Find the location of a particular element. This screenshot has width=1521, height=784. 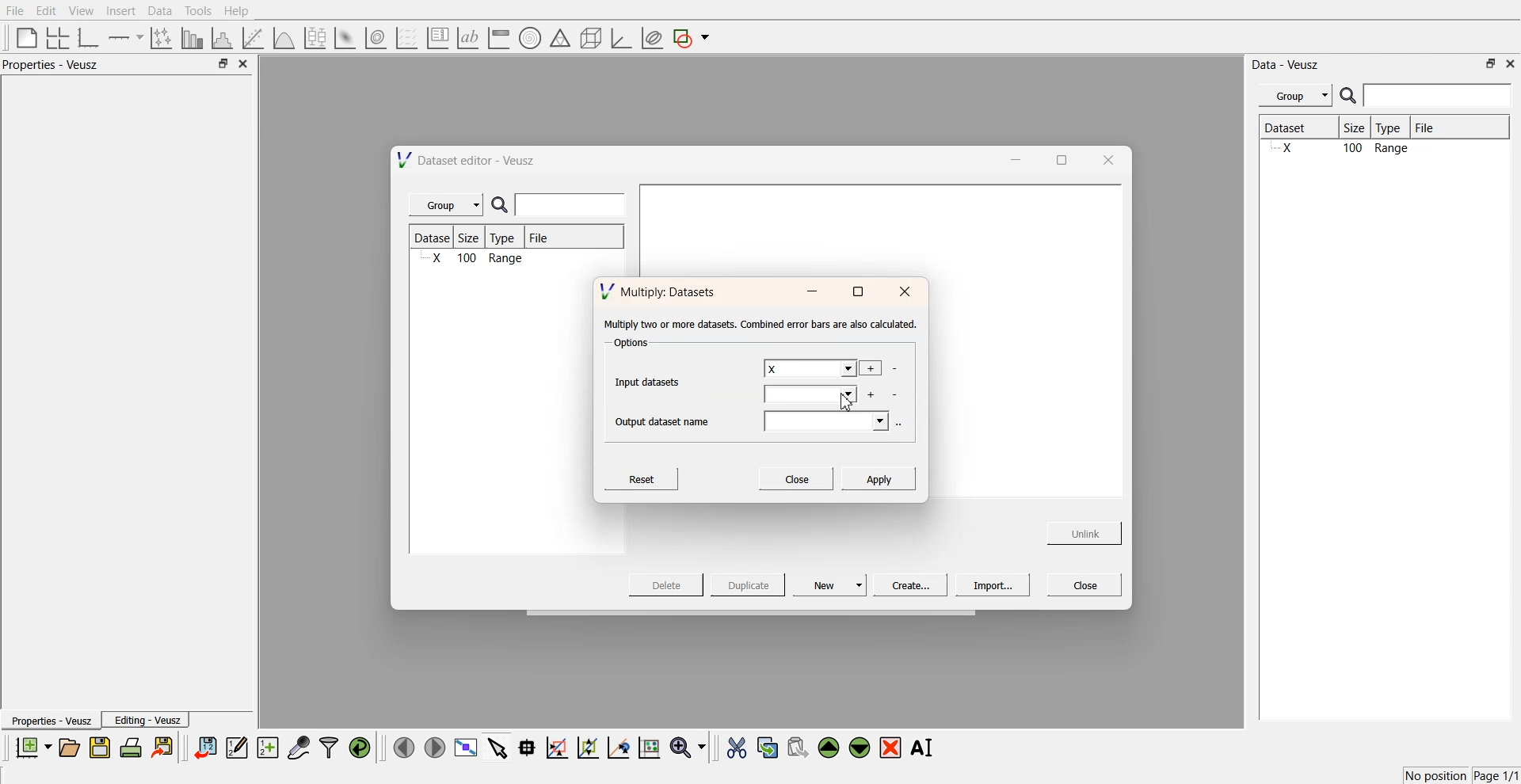

move left is located at coordinates (404, 747).